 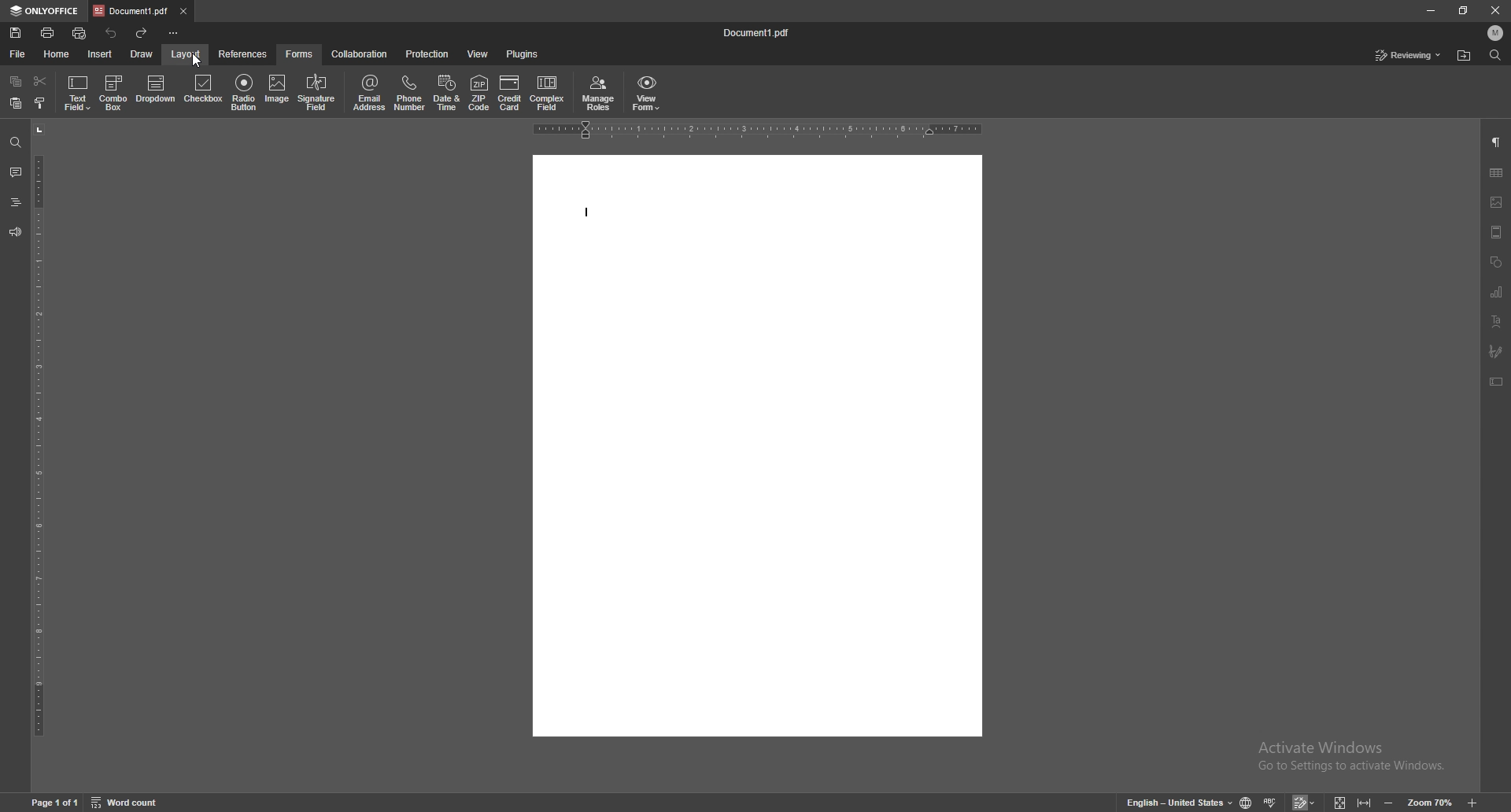 What do you see at coordinates (56, 803) in the screenshot?
I see `page` at bounding box center [56, 803].